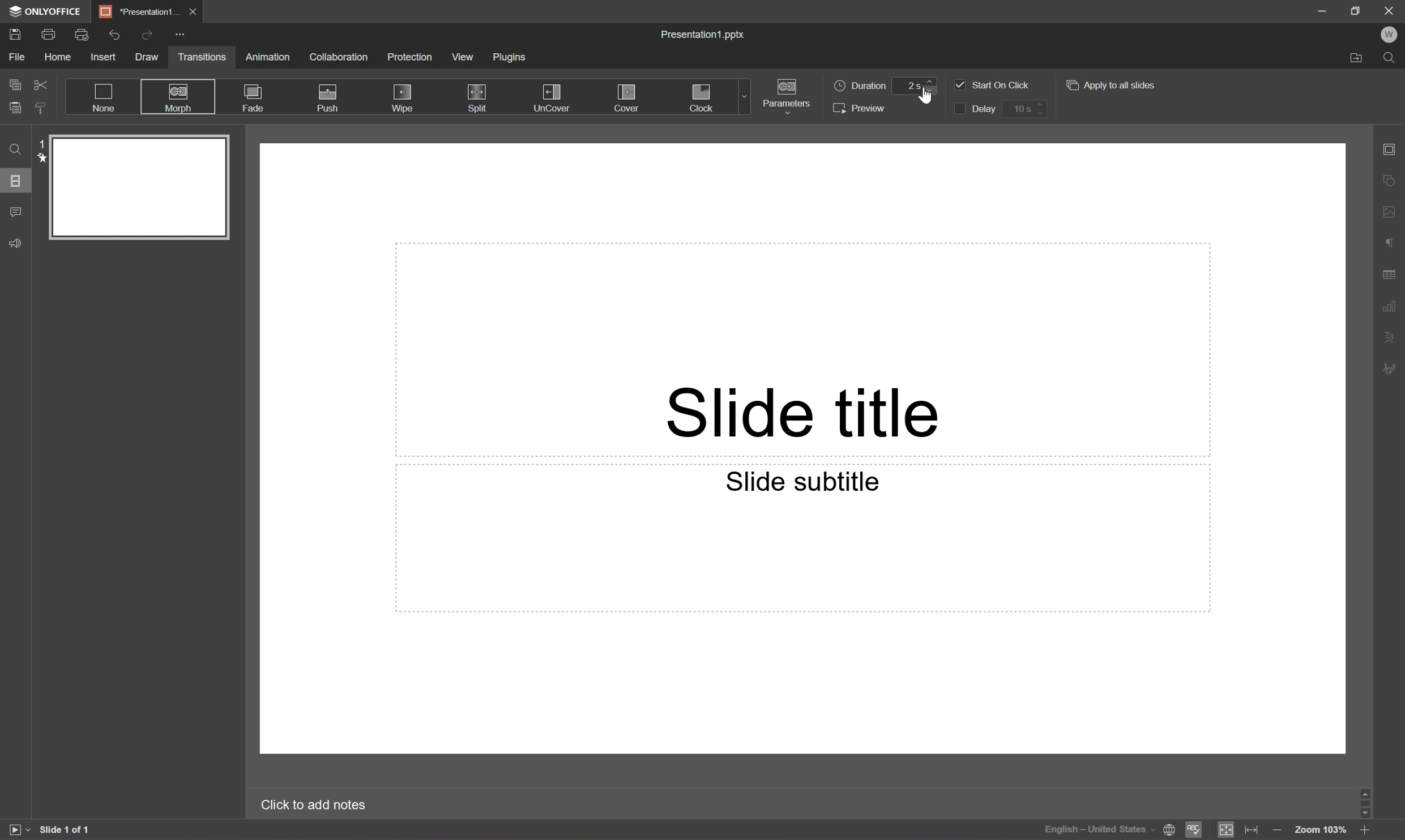 The height and width of the screenshot is (840, 1405). Describe the element at coordinates (403, 97) in the screenshot. I see `Wipro` at that location.